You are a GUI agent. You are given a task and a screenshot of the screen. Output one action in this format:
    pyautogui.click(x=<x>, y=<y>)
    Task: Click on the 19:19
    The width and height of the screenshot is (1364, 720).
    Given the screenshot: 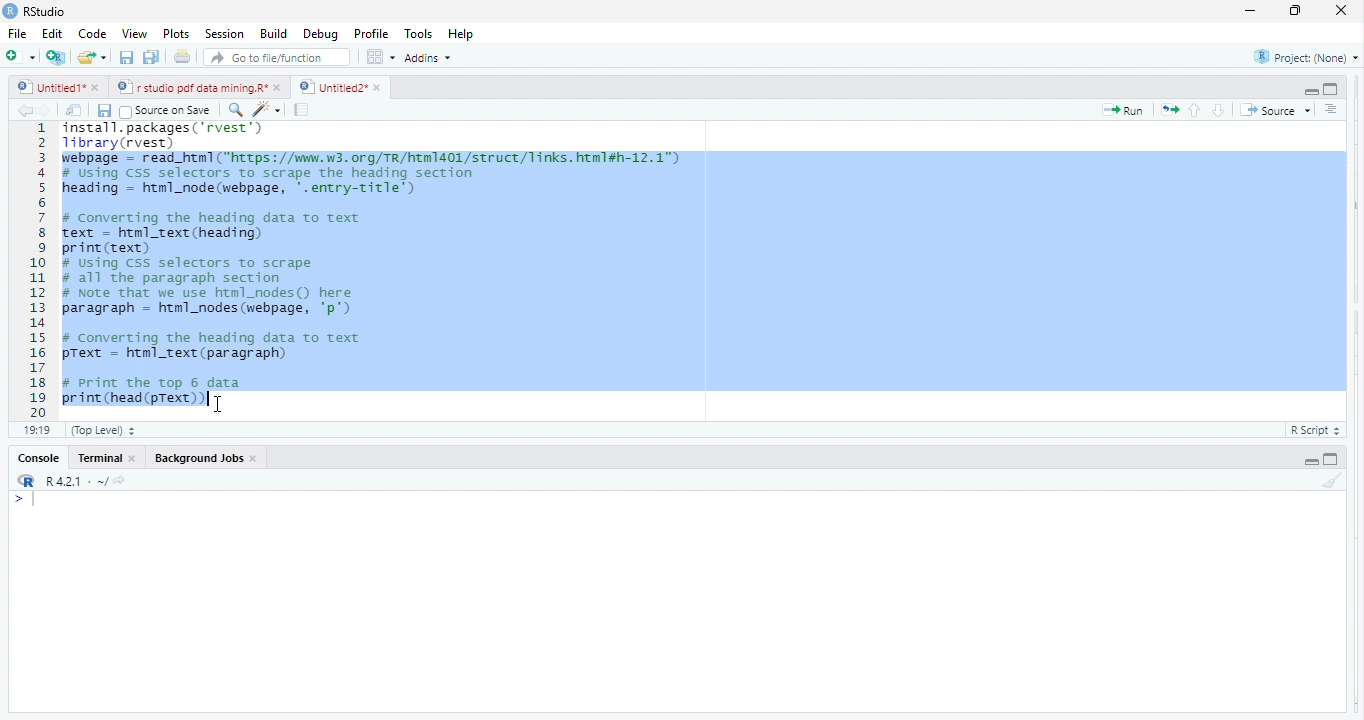 What is the action you would take?
    pyautogui.click(x=37, y=429)
    